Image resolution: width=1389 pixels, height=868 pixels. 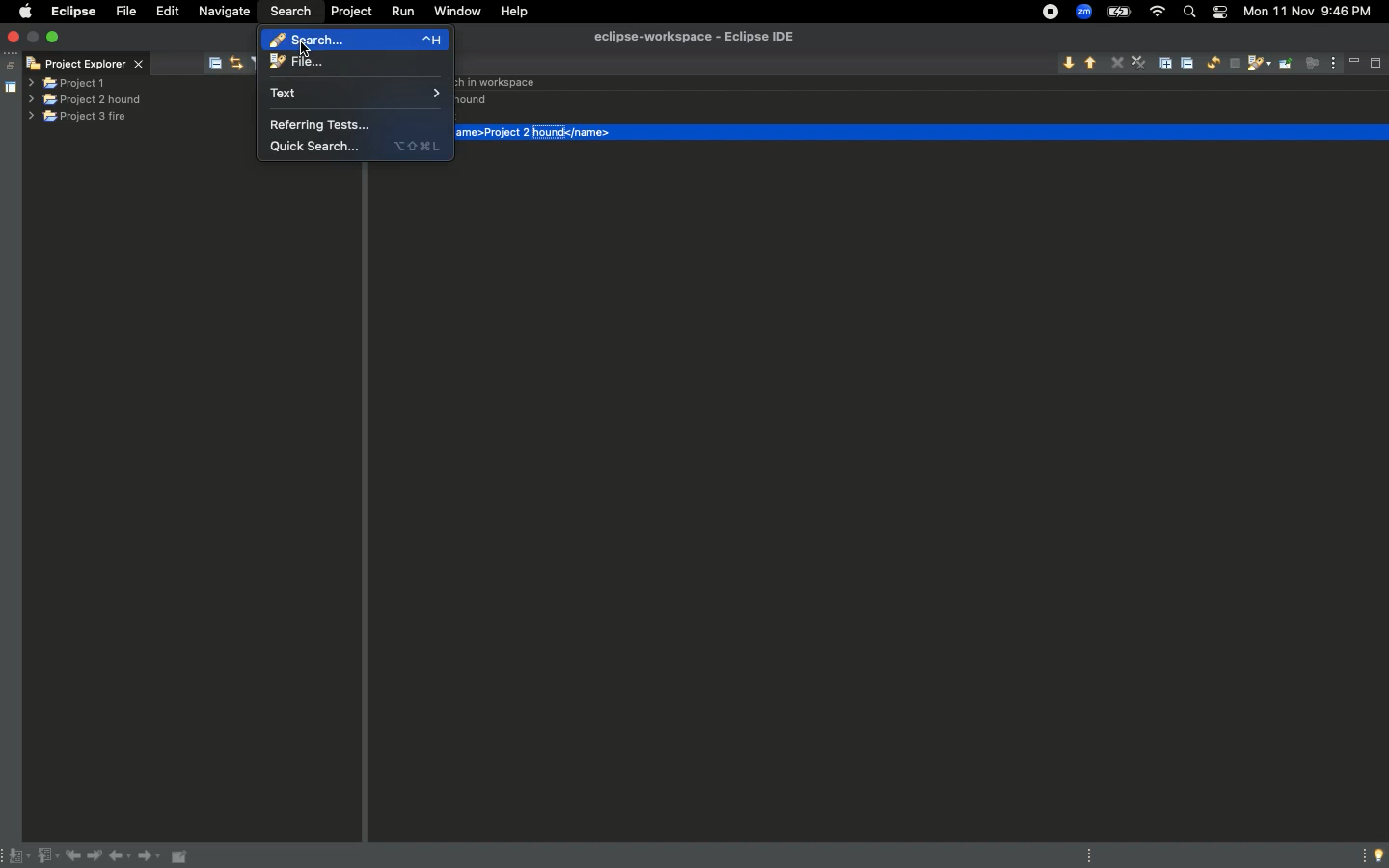 I want to click on ame>Project 2 hound</name>, so click(x=539, y=131).